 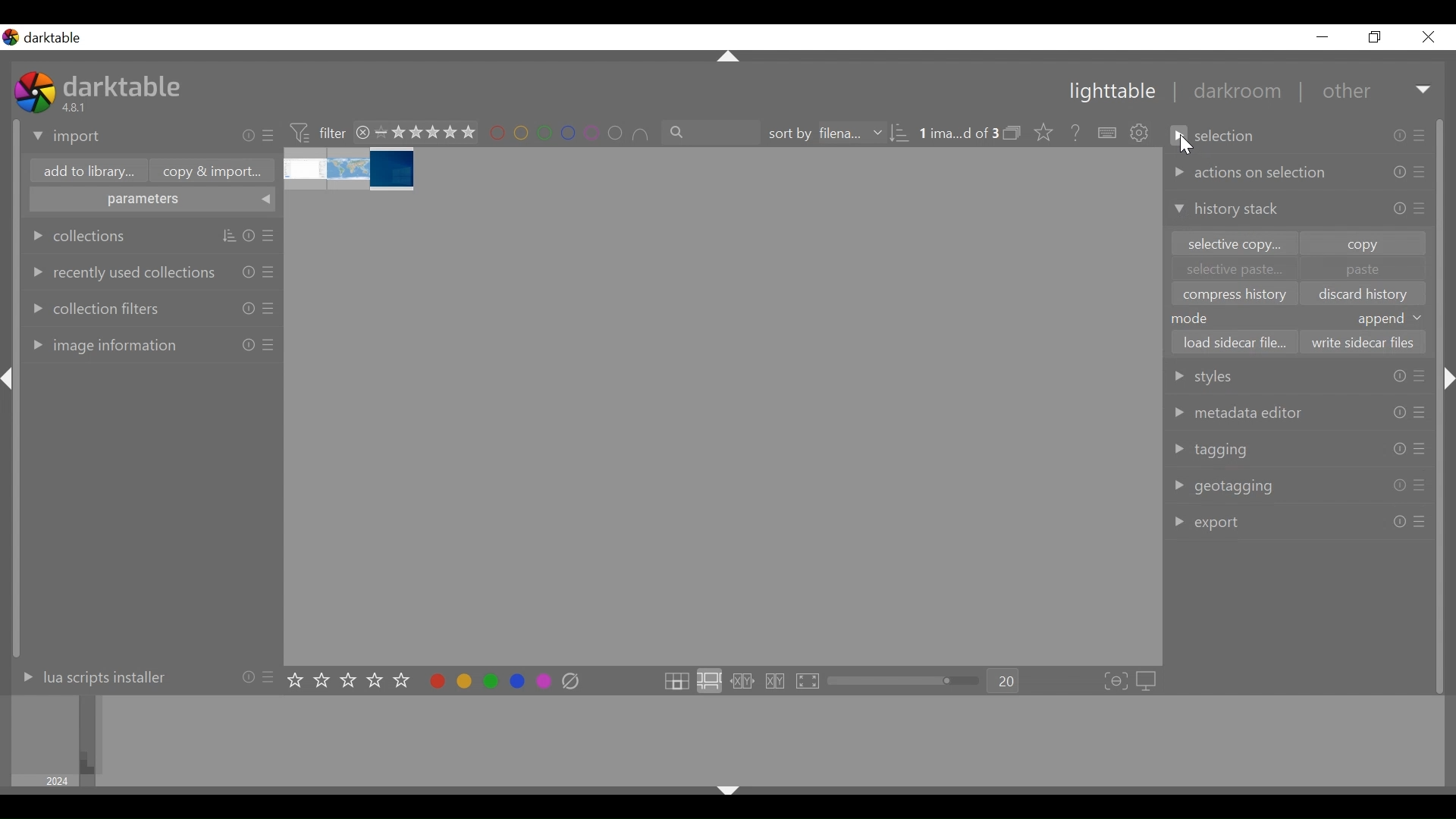 I want to click on export, so click(x=1209, y=522).